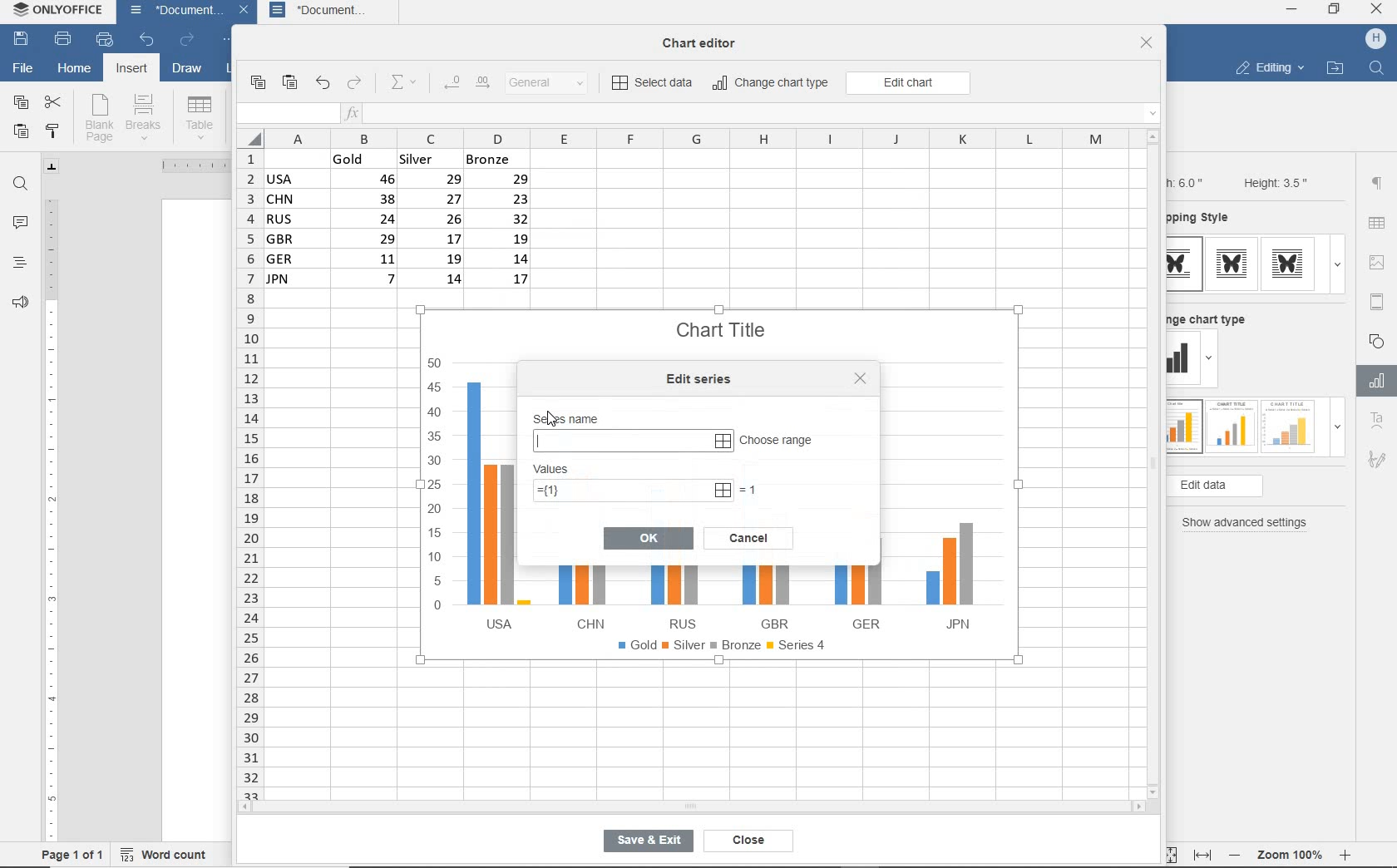 The height and width of the screenshot is (868, 1397). I want to click on RUS, so click(673, 598).